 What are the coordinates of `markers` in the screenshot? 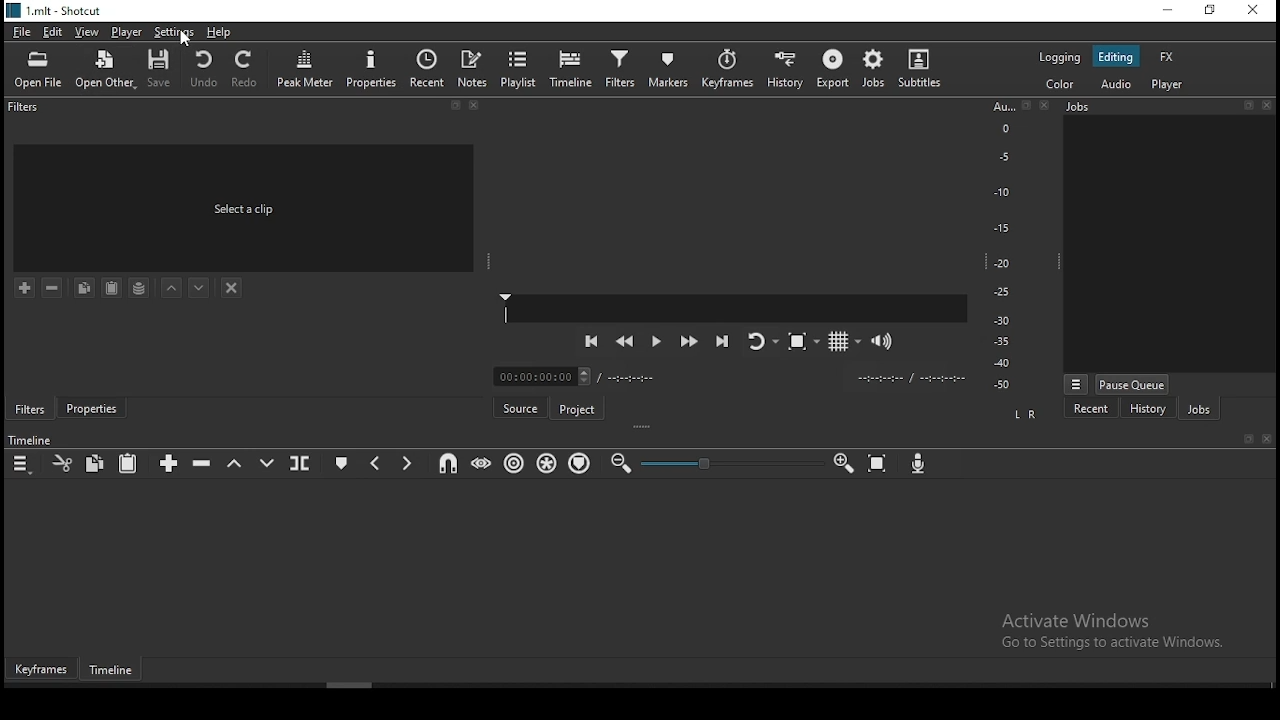 It's located at (671, 69).